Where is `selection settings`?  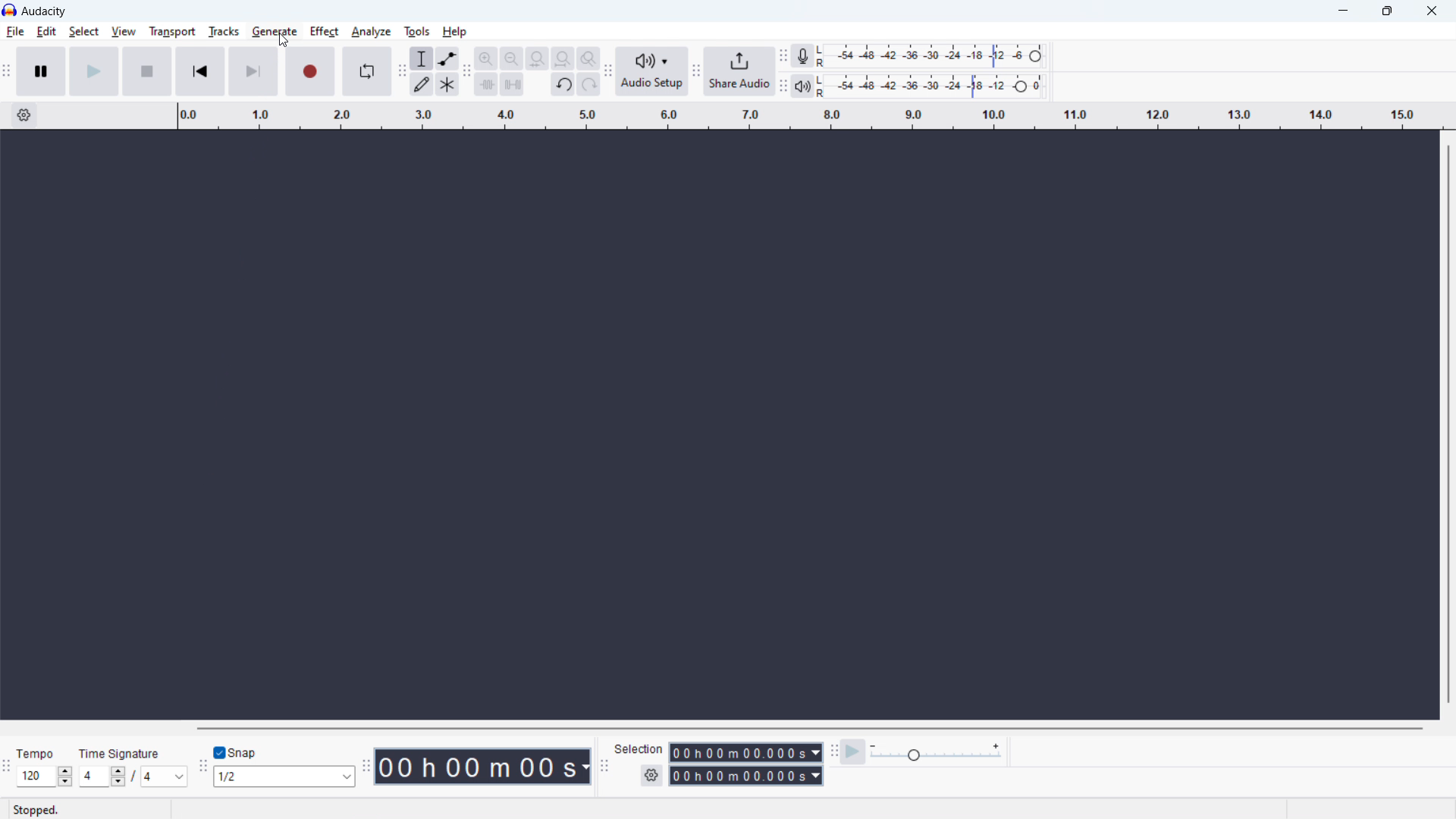 selection settings is located at coordinates (651, 776).